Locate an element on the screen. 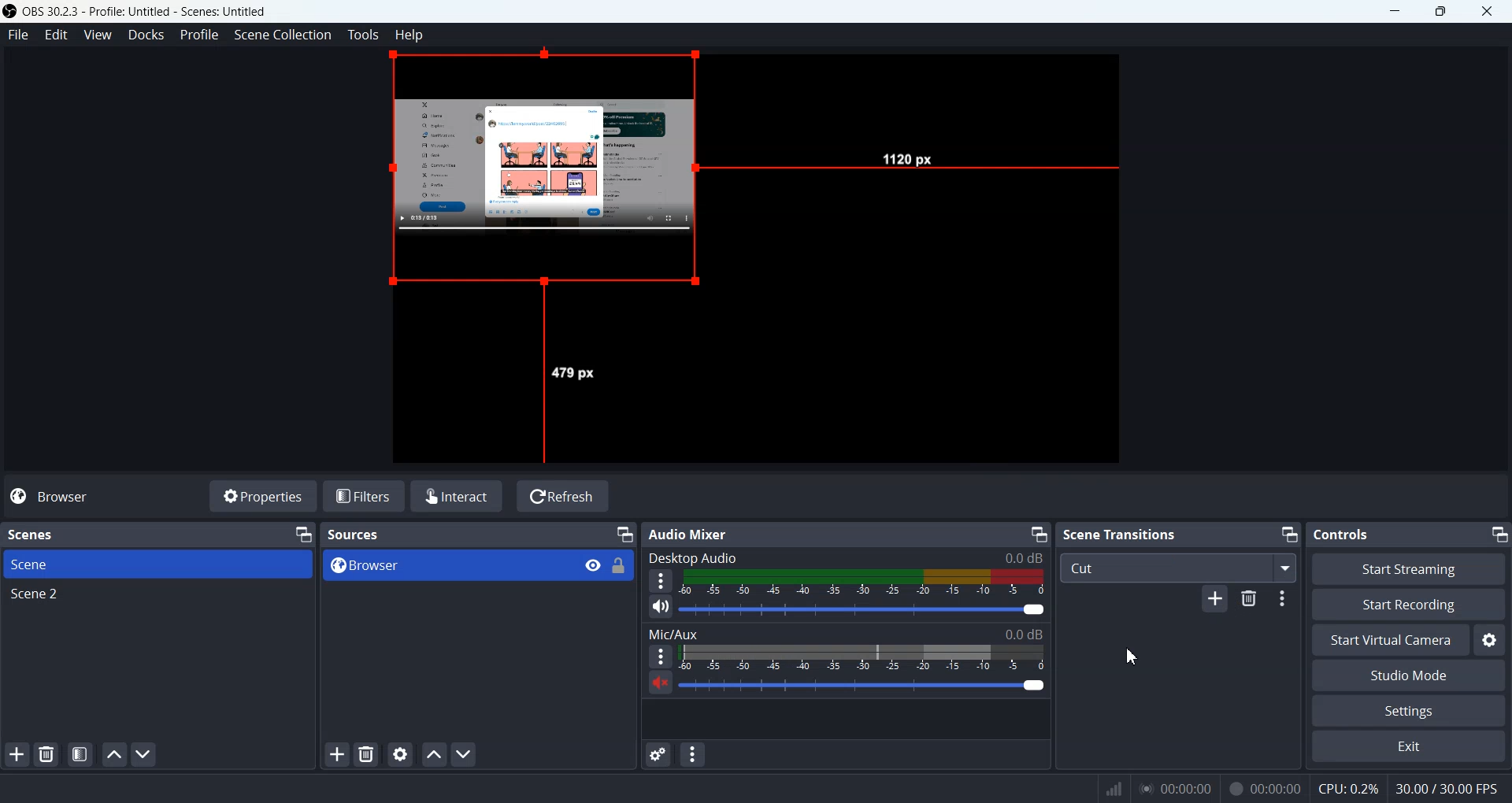  Text is located at coordinates (697, 535).